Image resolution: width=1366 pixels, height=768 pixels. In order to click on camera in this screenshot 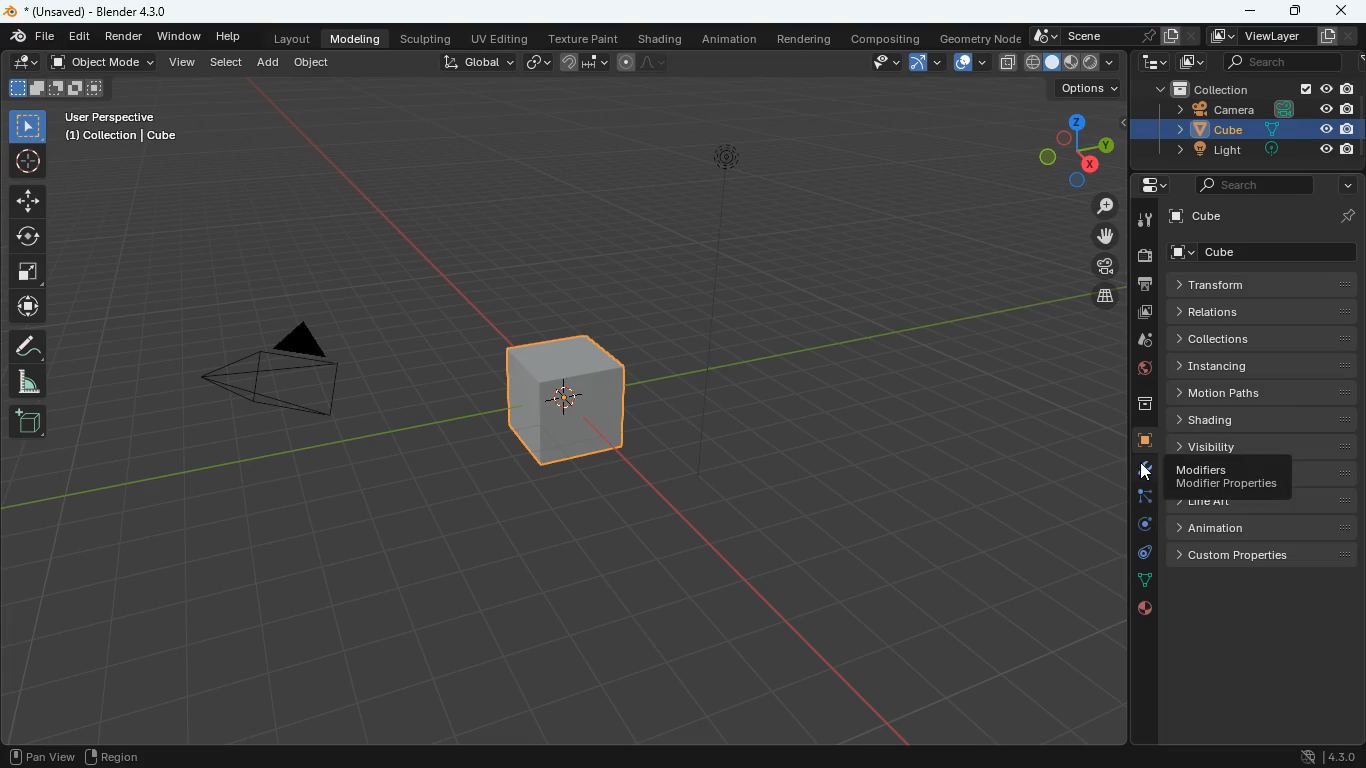, I will do `click(1200, 108)`.